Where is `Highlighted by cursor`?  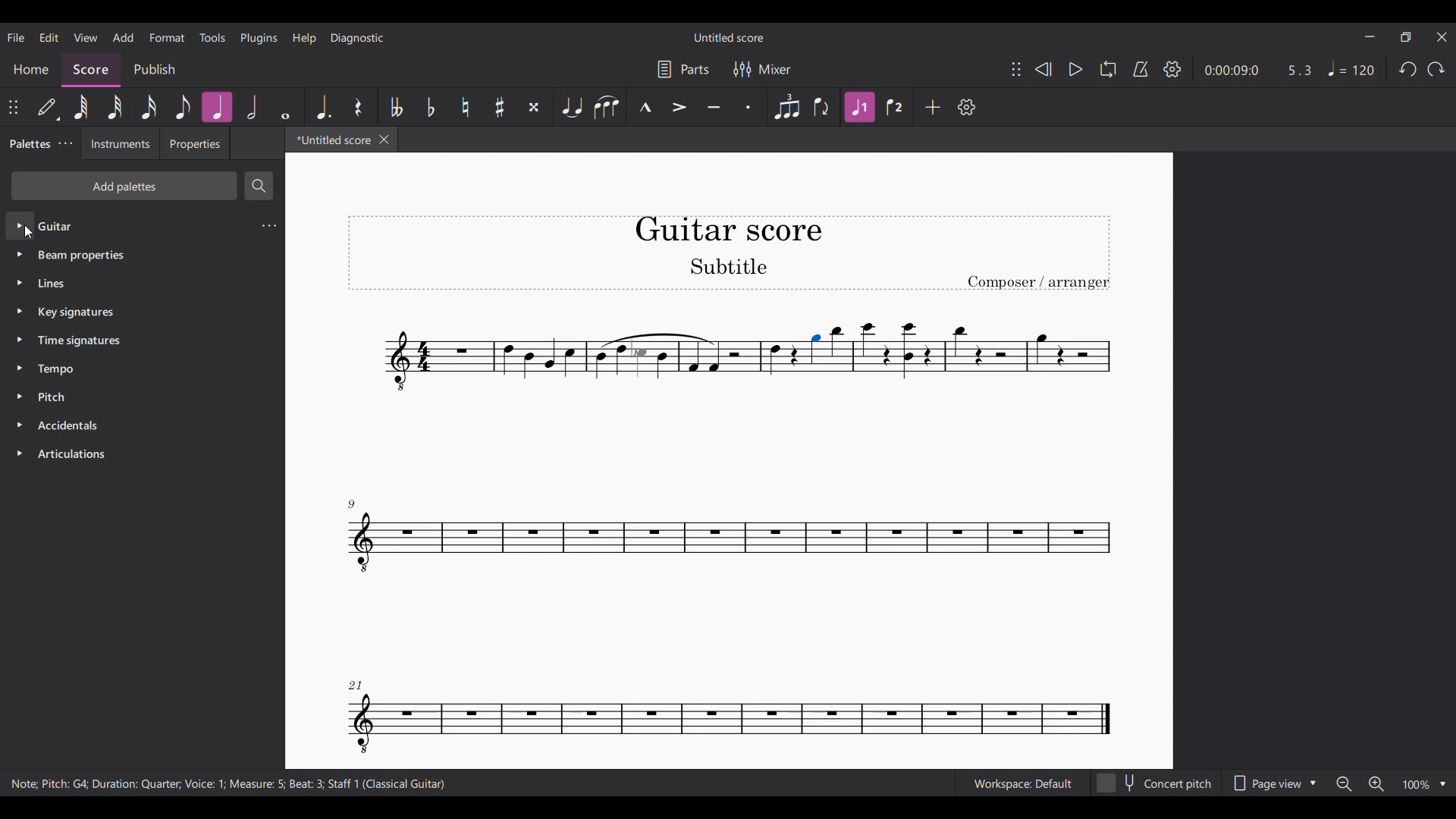 Highlighted by cursor is located at coordinates (20, 224).